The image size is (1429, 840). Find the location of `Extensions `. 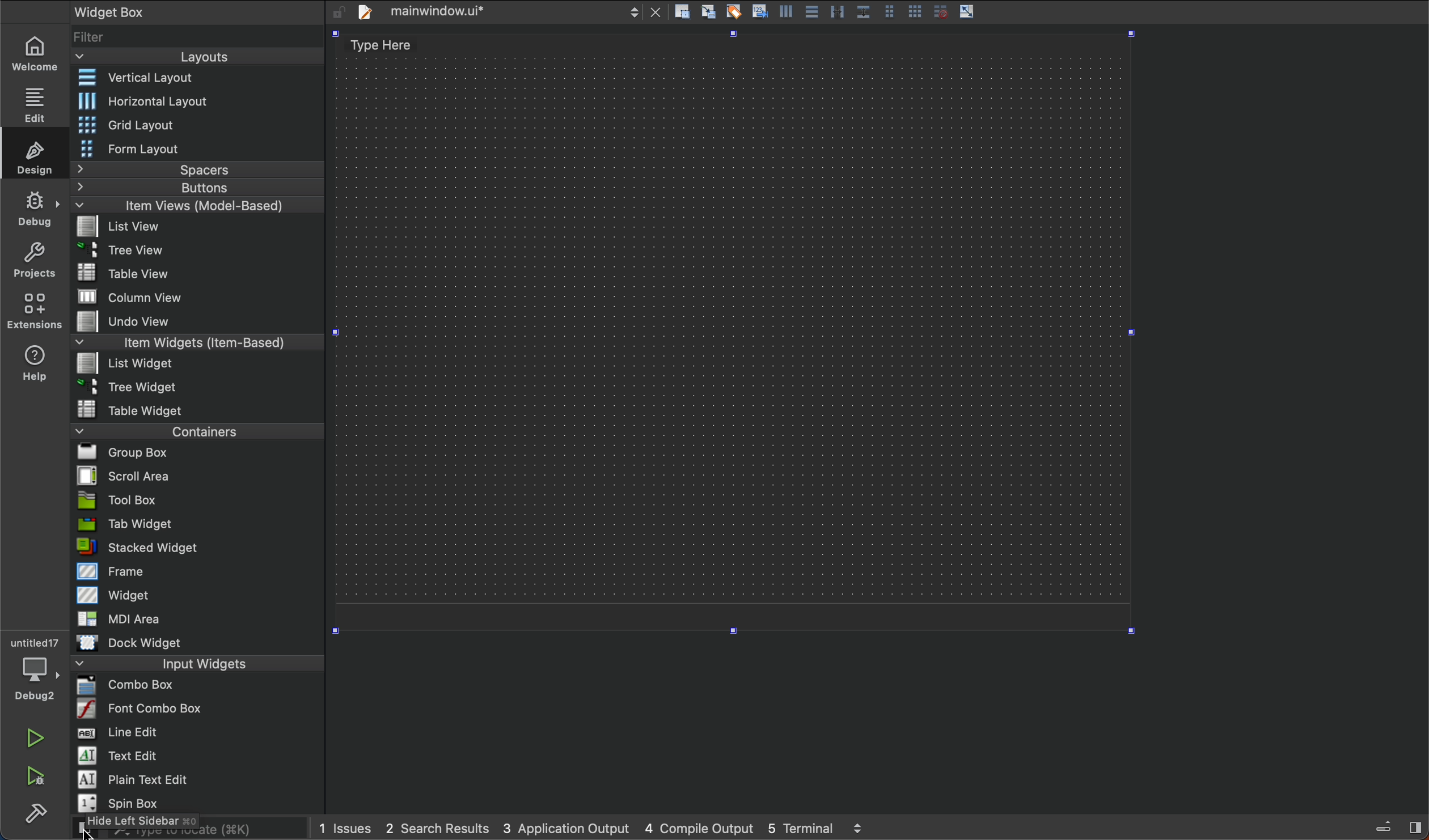

Extensions  is located at coordinates (32, 315).